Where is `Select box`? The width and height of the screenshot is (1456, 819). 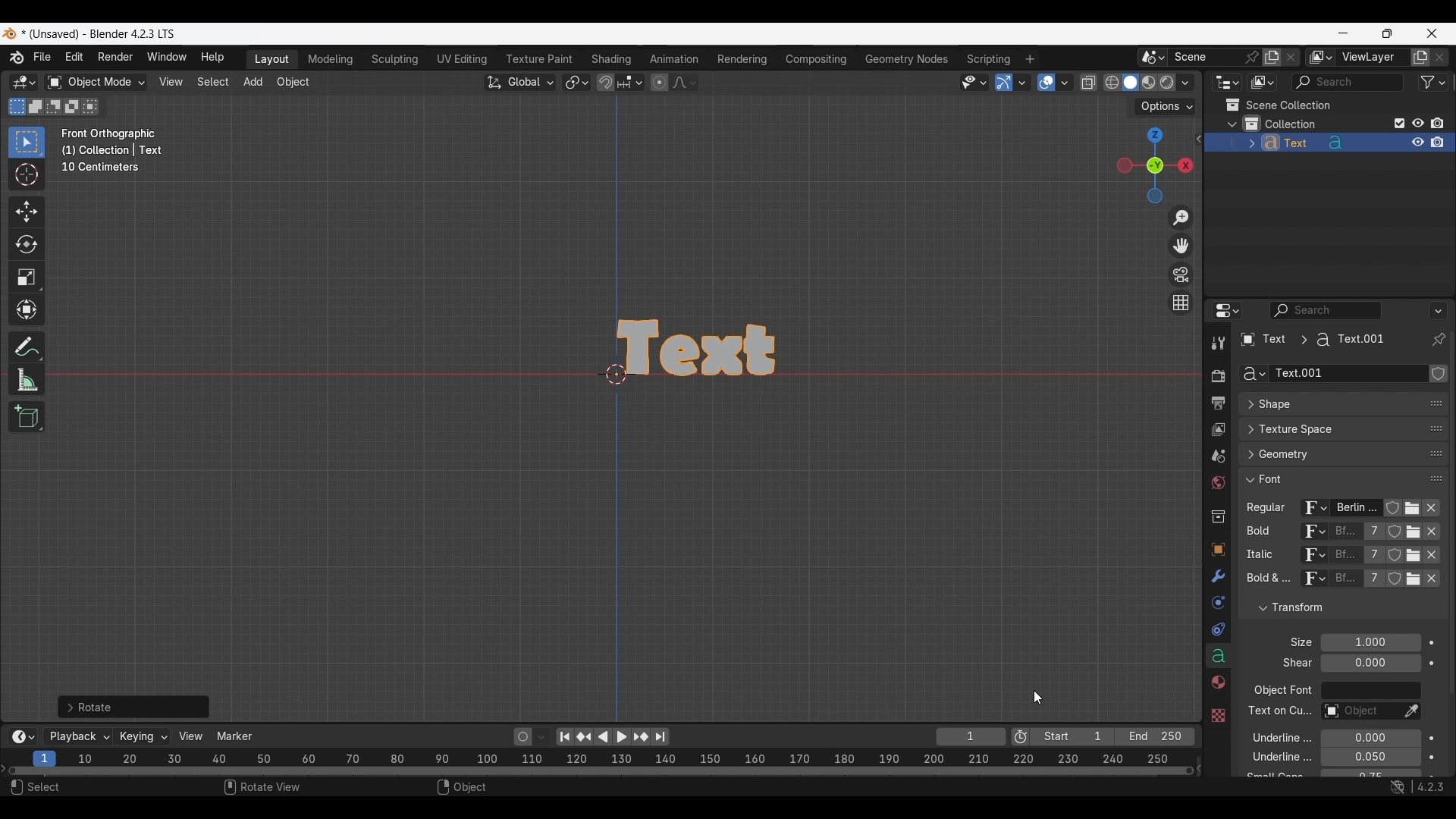 Select box is located at coordinates (27, 142).